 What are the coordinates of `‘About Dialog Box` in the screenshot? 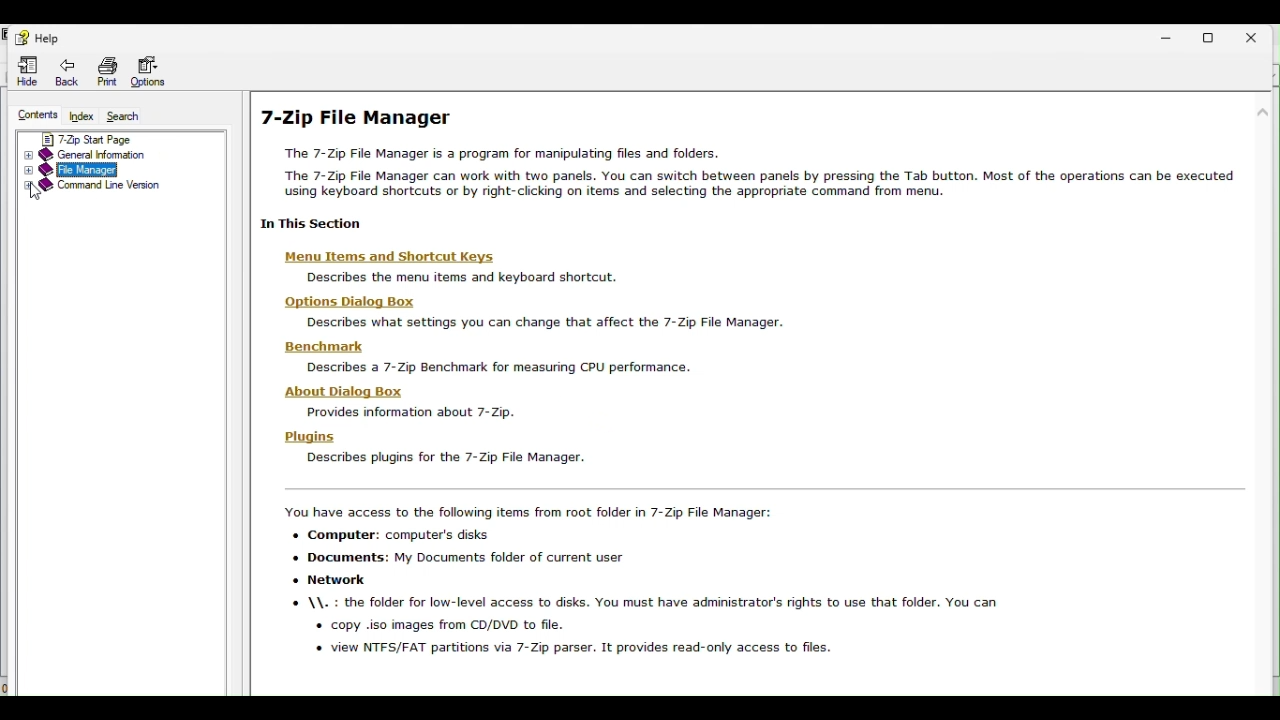 It's located at (361, 391).